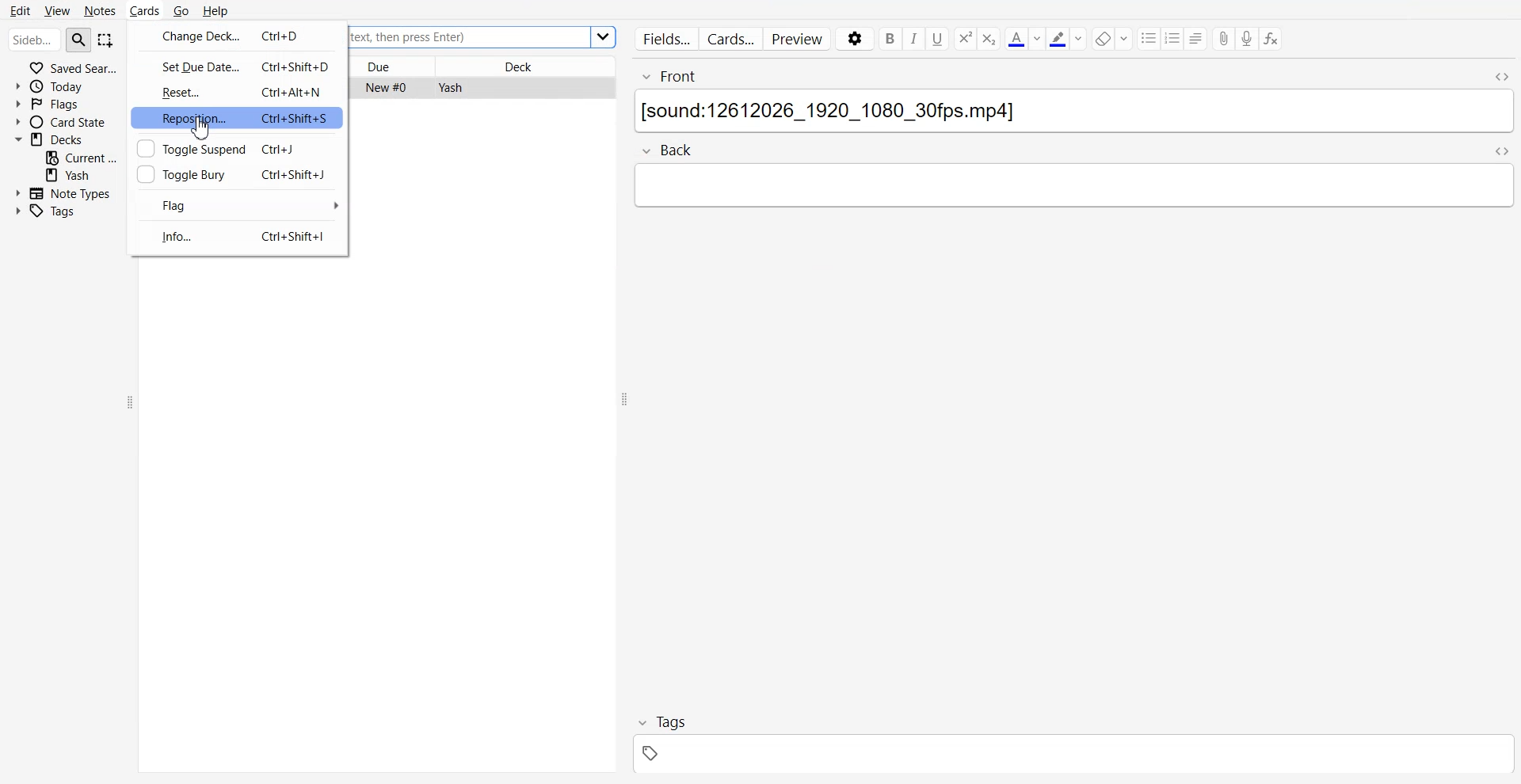  Describe the element at coordinates (67, 67) in the screenshot. I see `Saved Search` at that location.